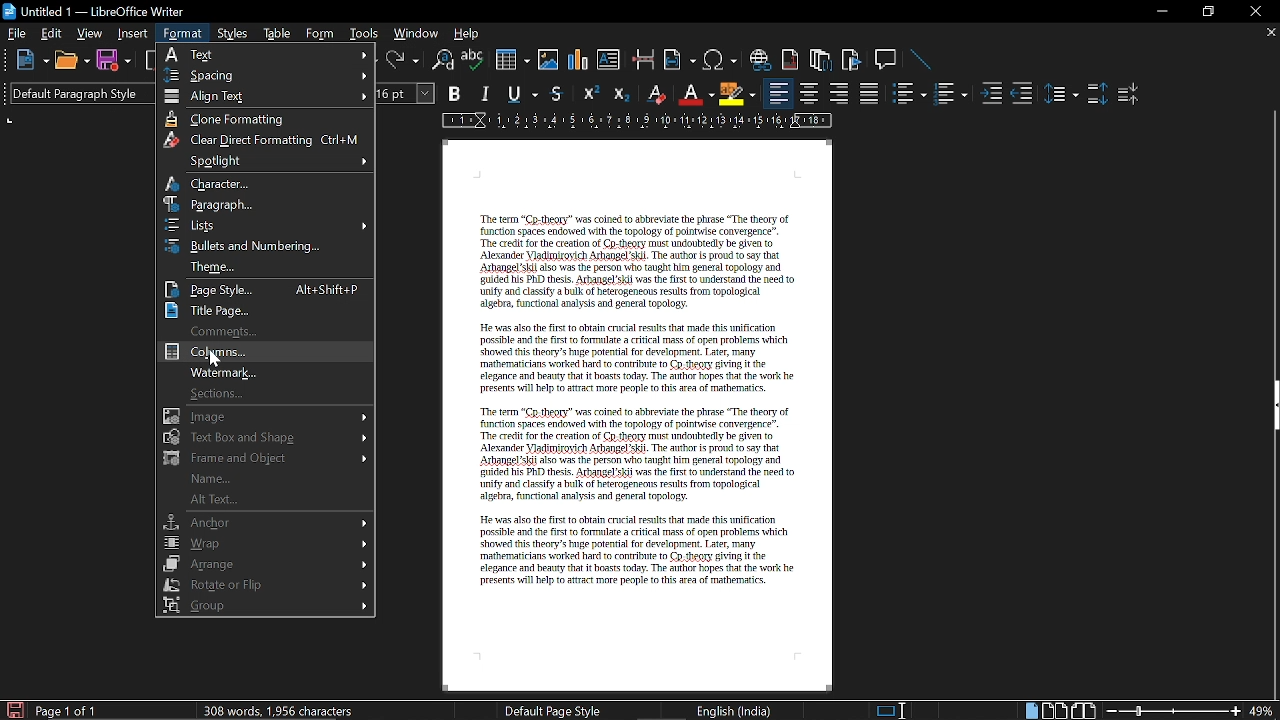 This screenshot has width=1280, height=720. Describe the element at coordinates (77, 96) in the screenshot. I see `Default: Paragraph style` at that location.